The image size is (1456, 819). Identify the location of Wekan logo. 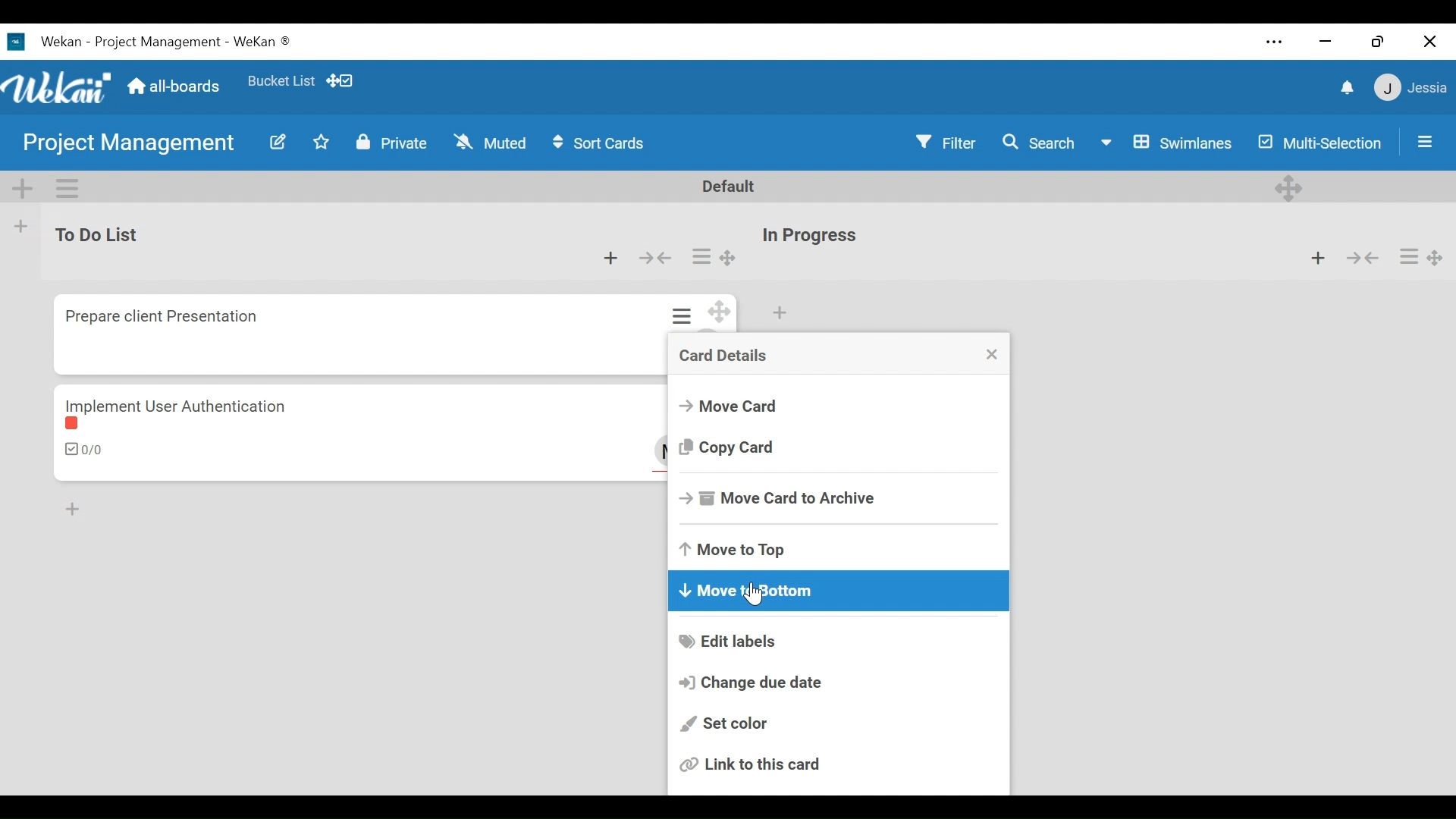
(59, 89).